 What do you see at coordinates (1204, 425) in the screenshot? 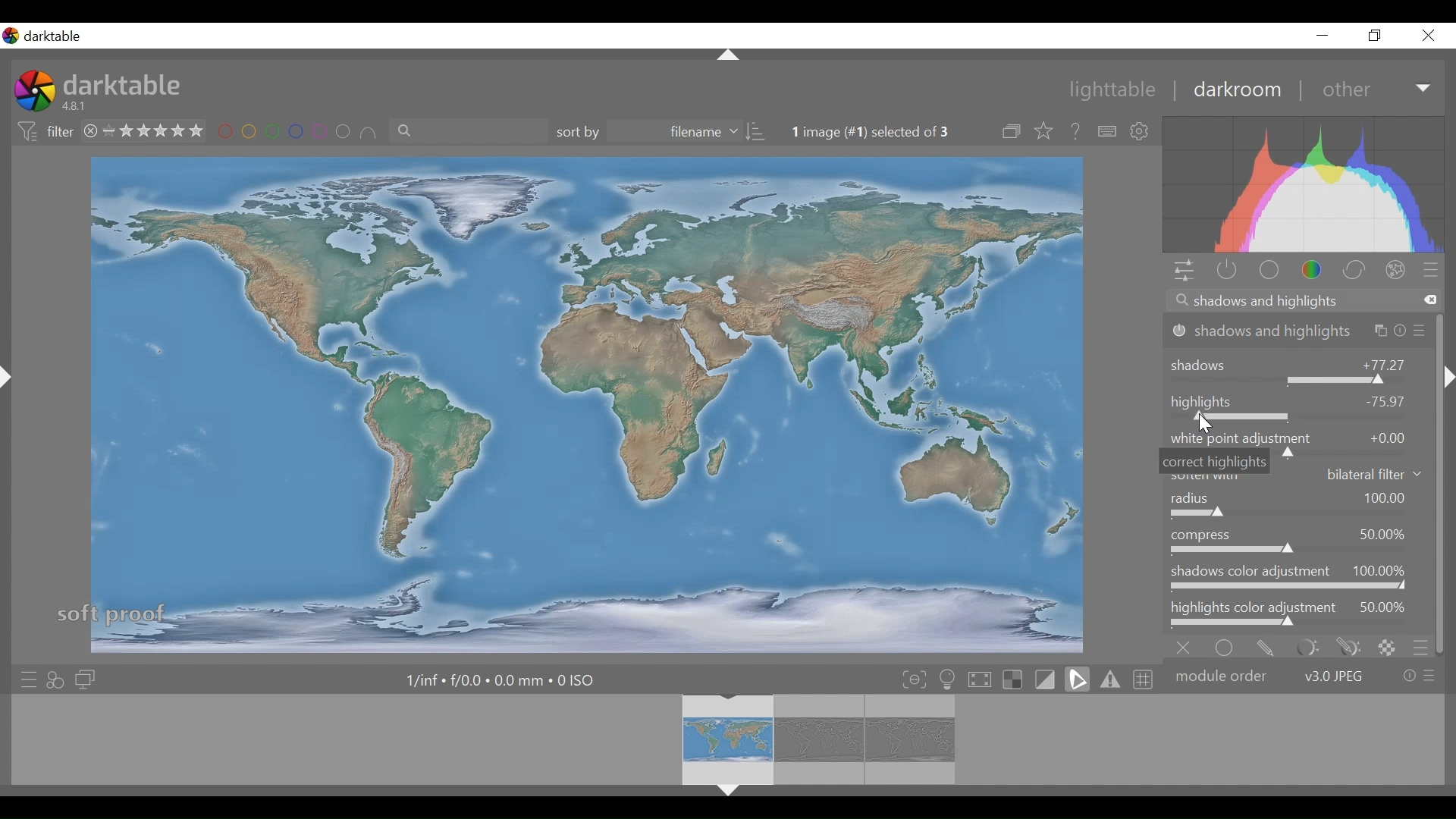
I see `cursor` at bounding box center [1204, 425].